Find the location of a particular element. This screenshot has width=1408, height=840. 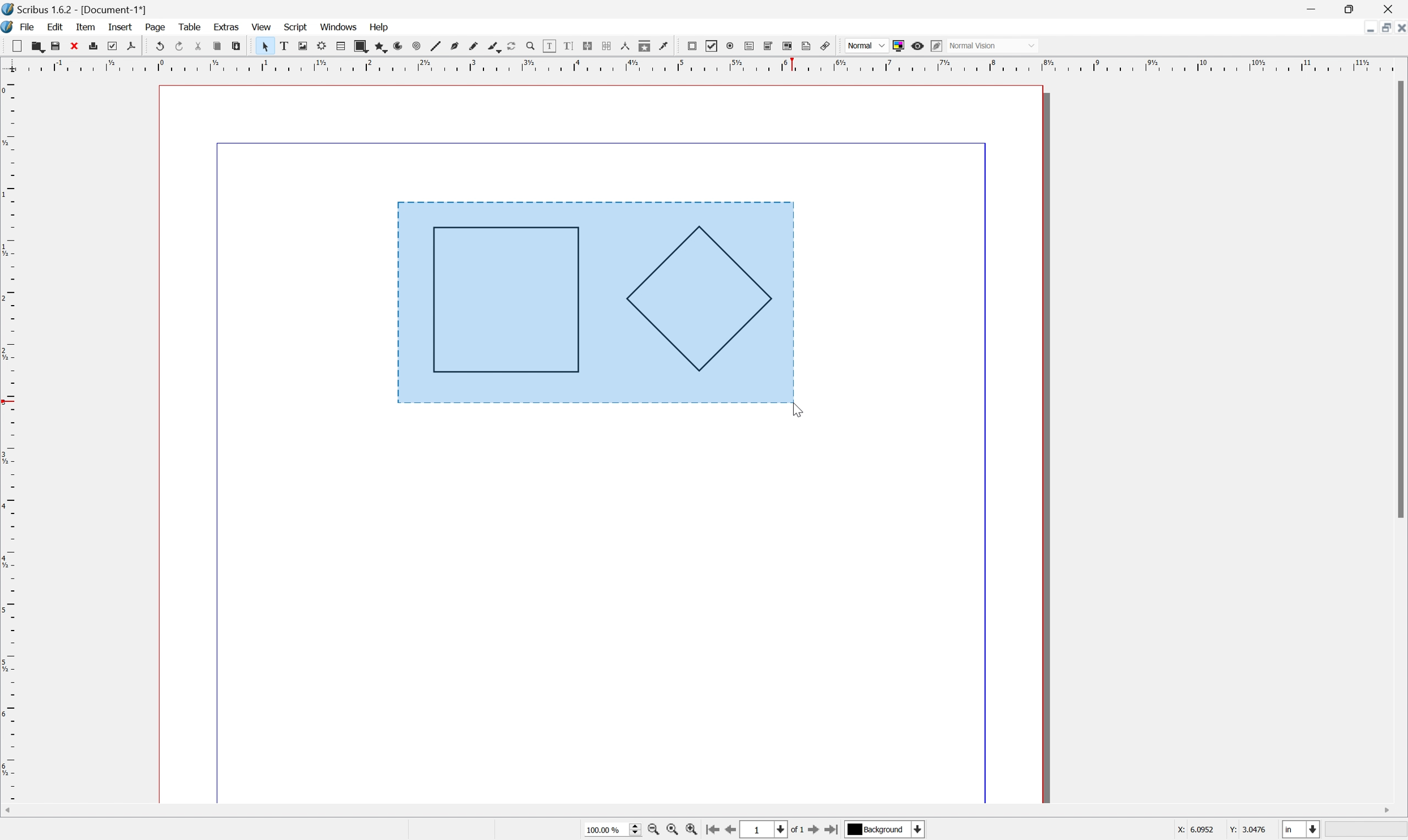

save as pdf is located at coordinates (135, 44).